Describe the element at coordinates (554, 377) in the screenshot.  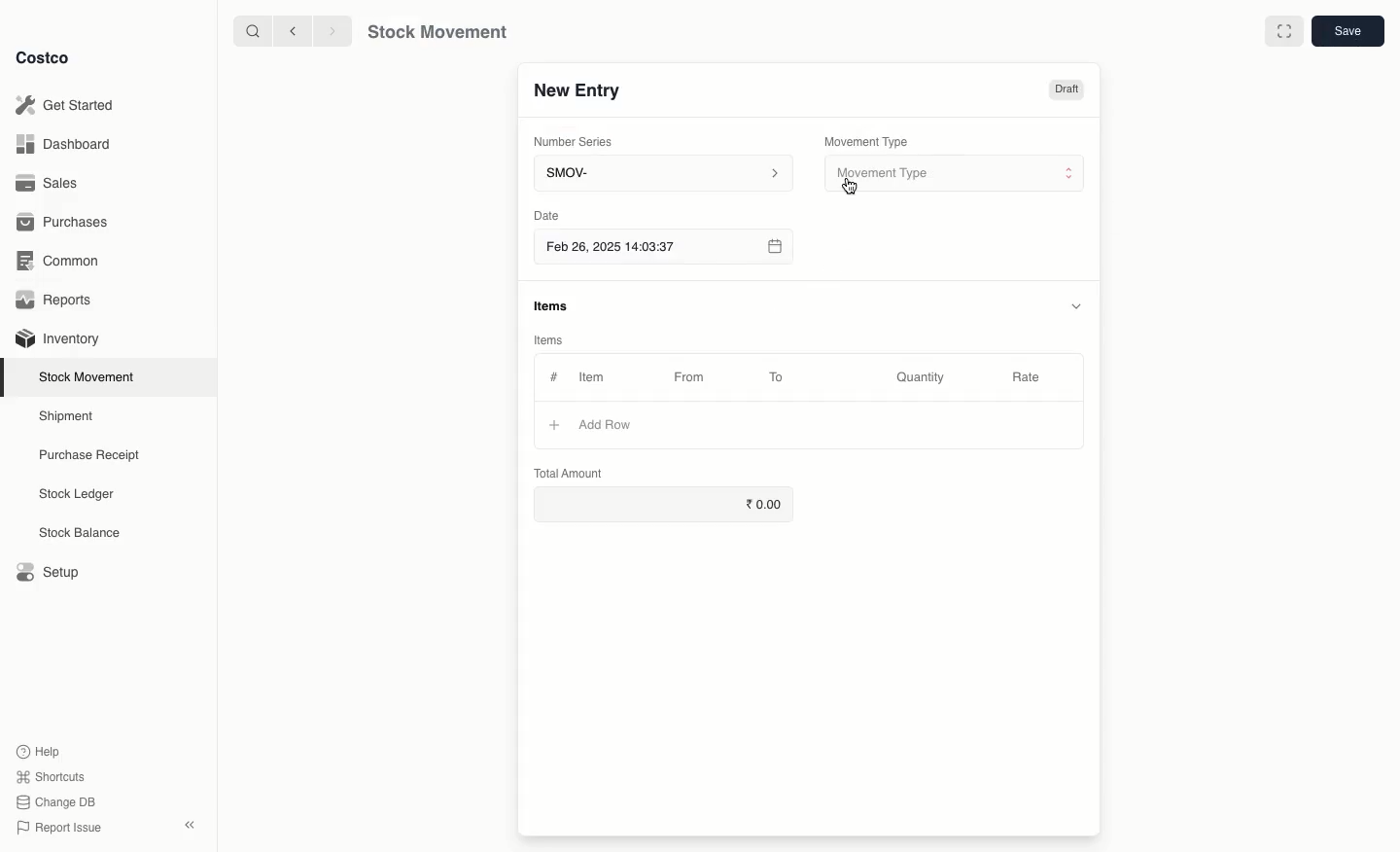
I see `#` at that location.